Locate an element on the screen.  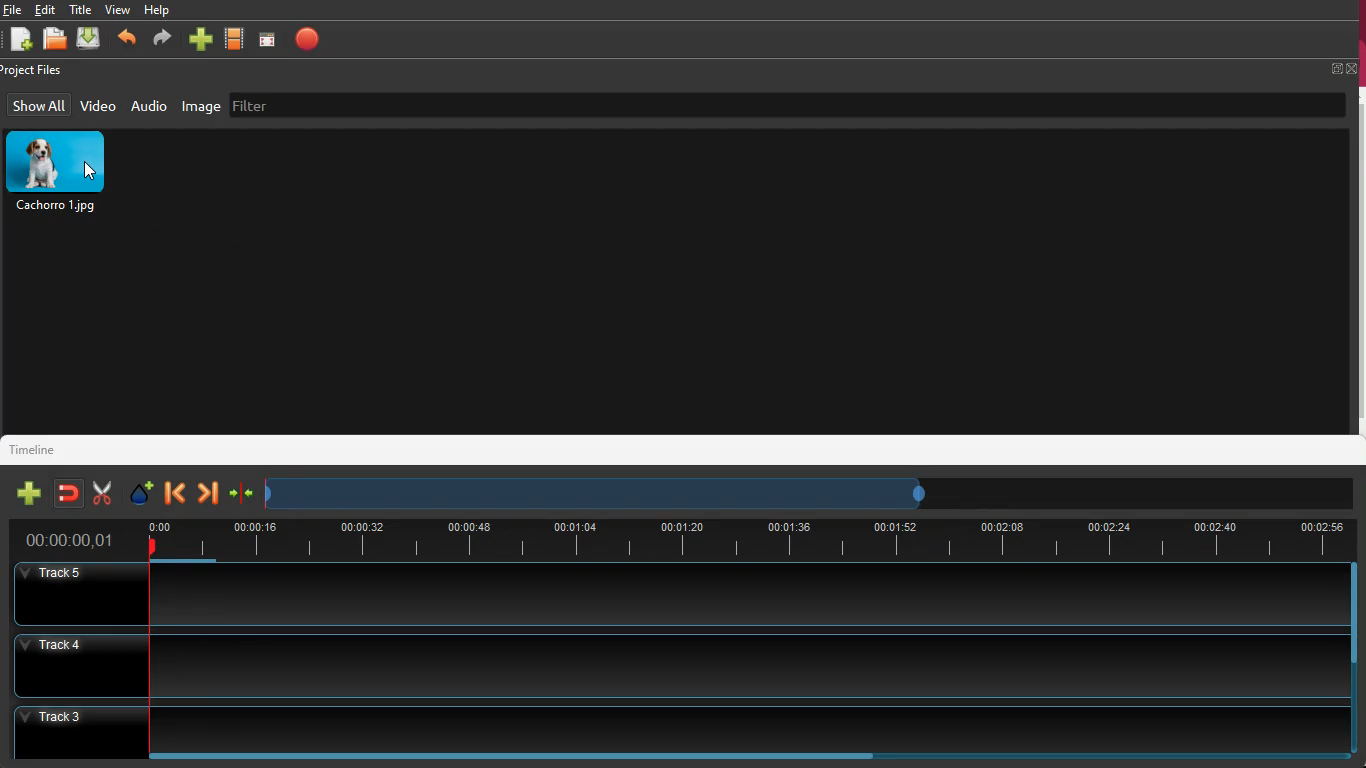
title is located at coordinates (83, 9).